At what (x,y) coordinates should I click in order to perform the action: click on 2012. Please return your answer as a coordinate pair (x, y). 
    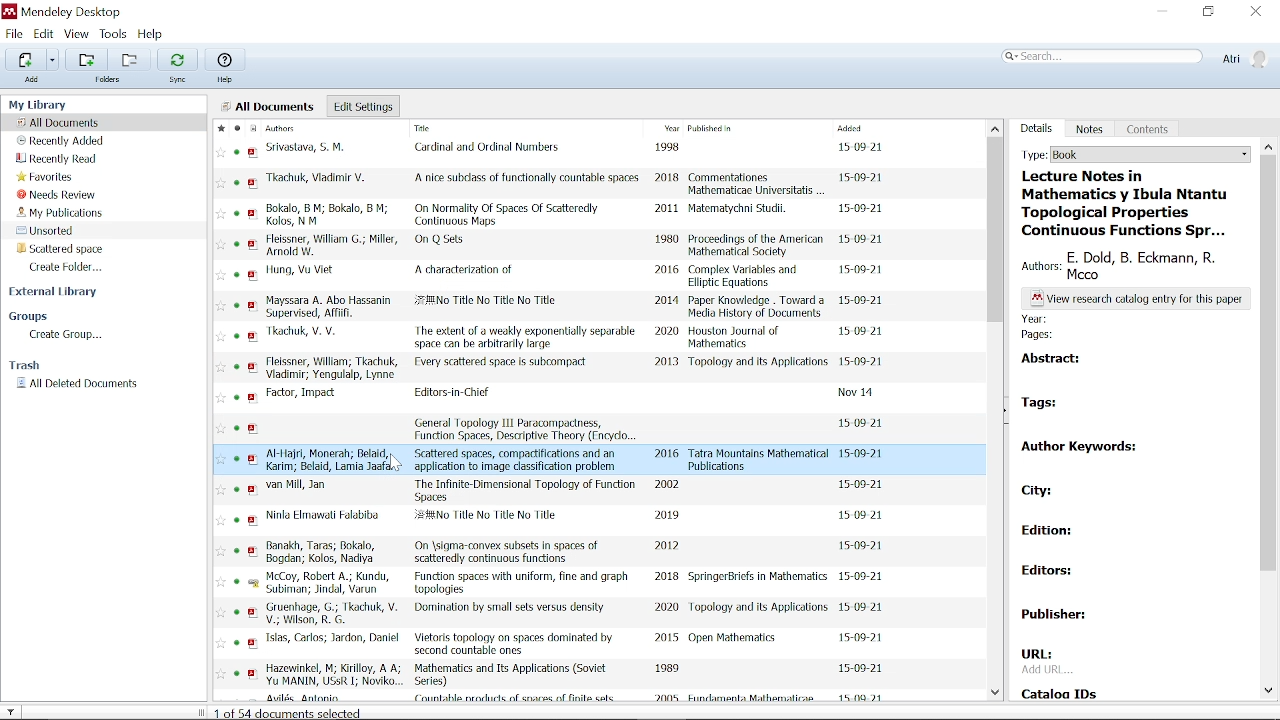
    Looking at the image, I should click on (666, 546).